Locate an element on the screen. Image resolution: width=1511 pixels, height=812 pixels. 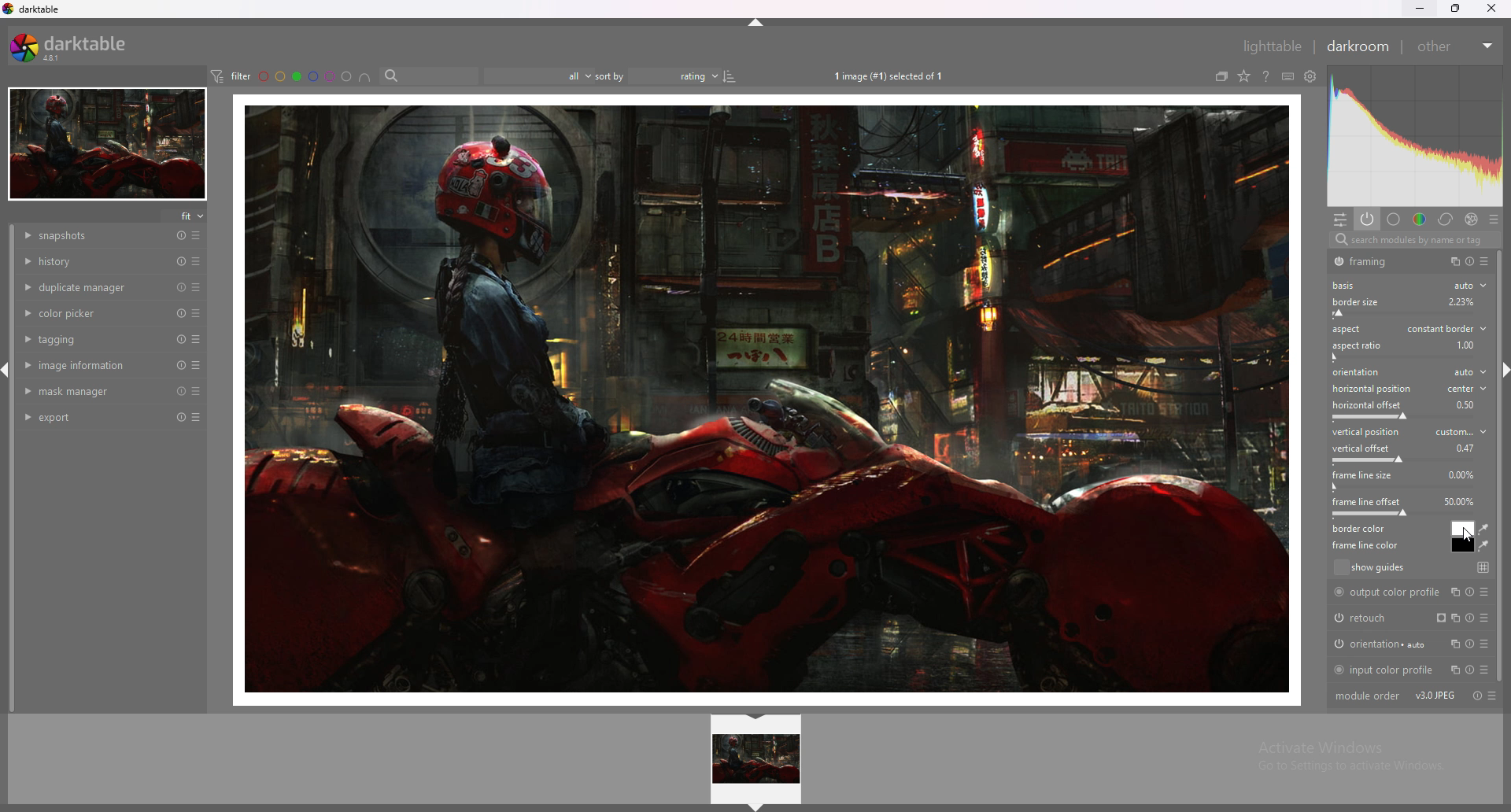
reset is located at coordinates (181, 391).